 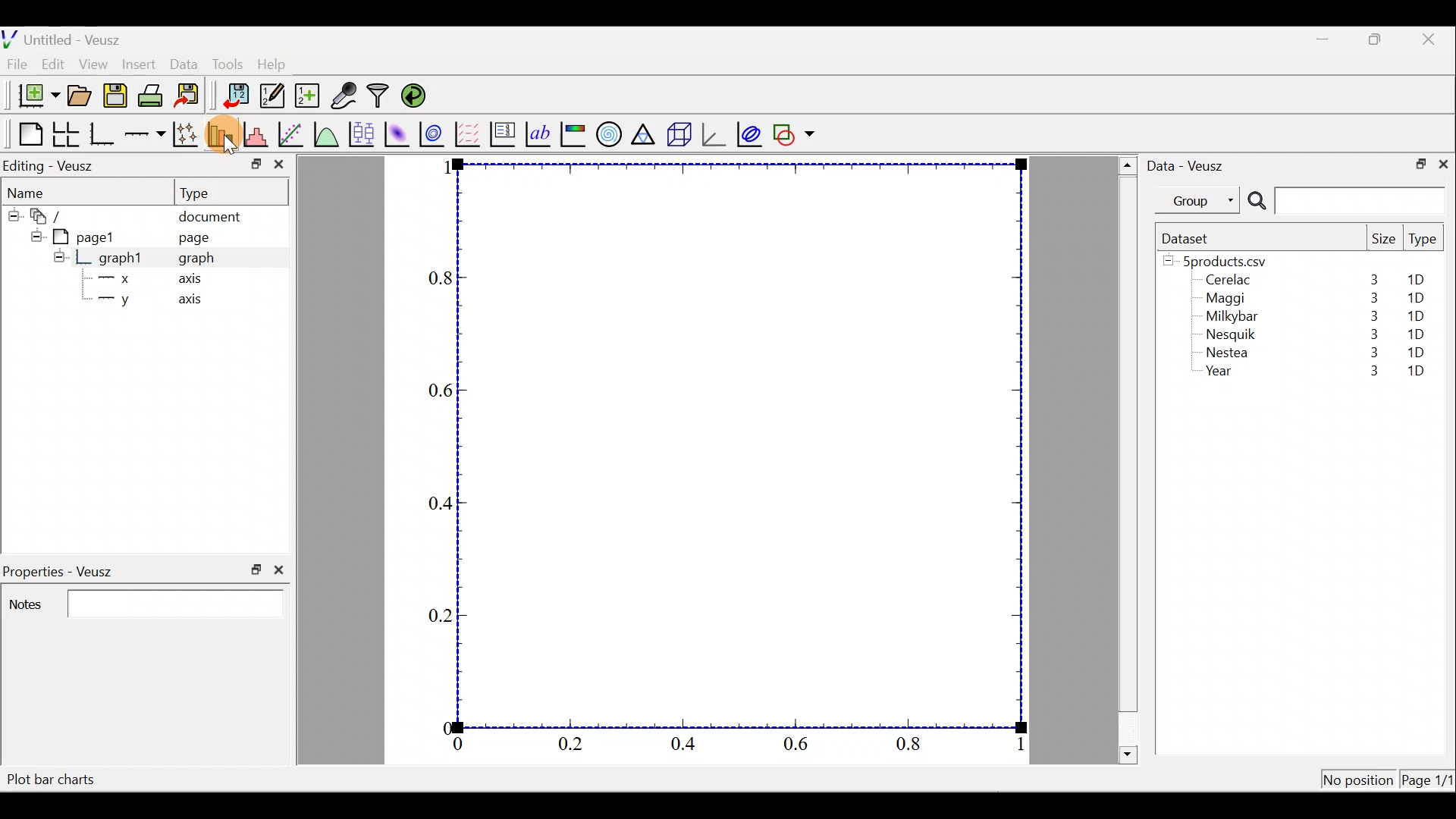 I want to click on 0, so click(x=445, y=727).